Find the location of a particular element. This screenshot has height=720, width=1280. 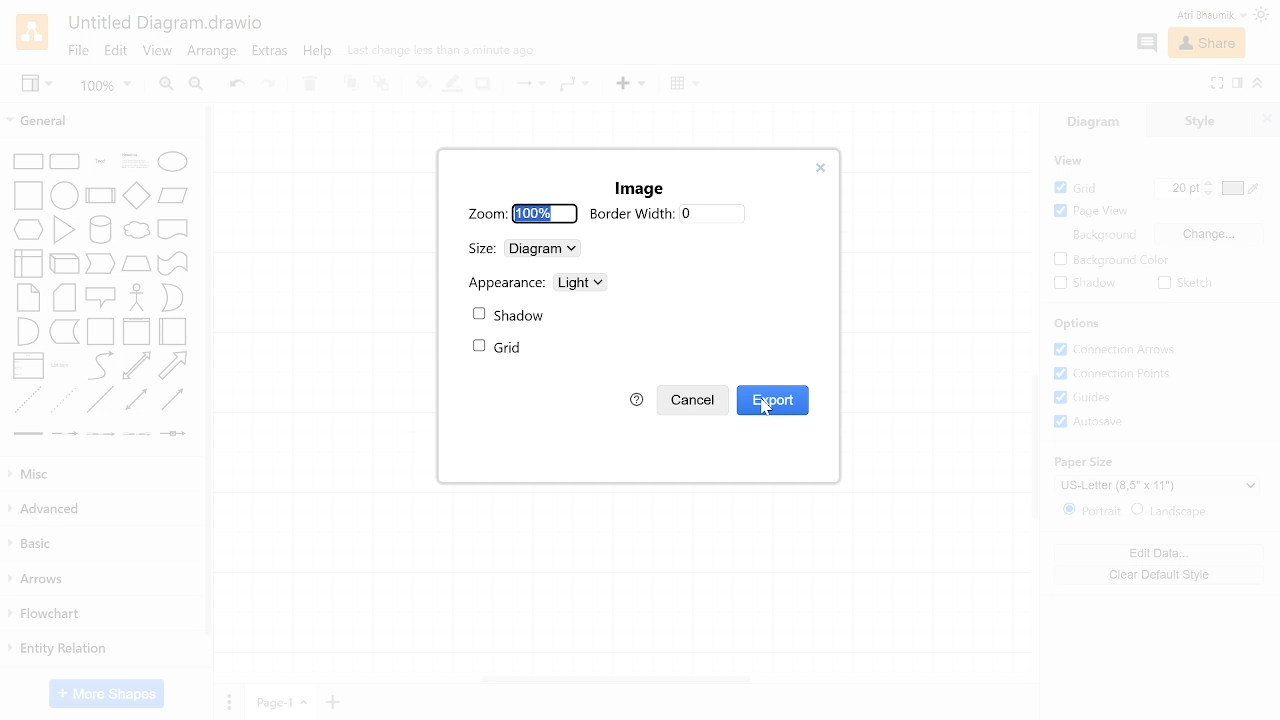

Zoom is located at coordinates (109, 87).